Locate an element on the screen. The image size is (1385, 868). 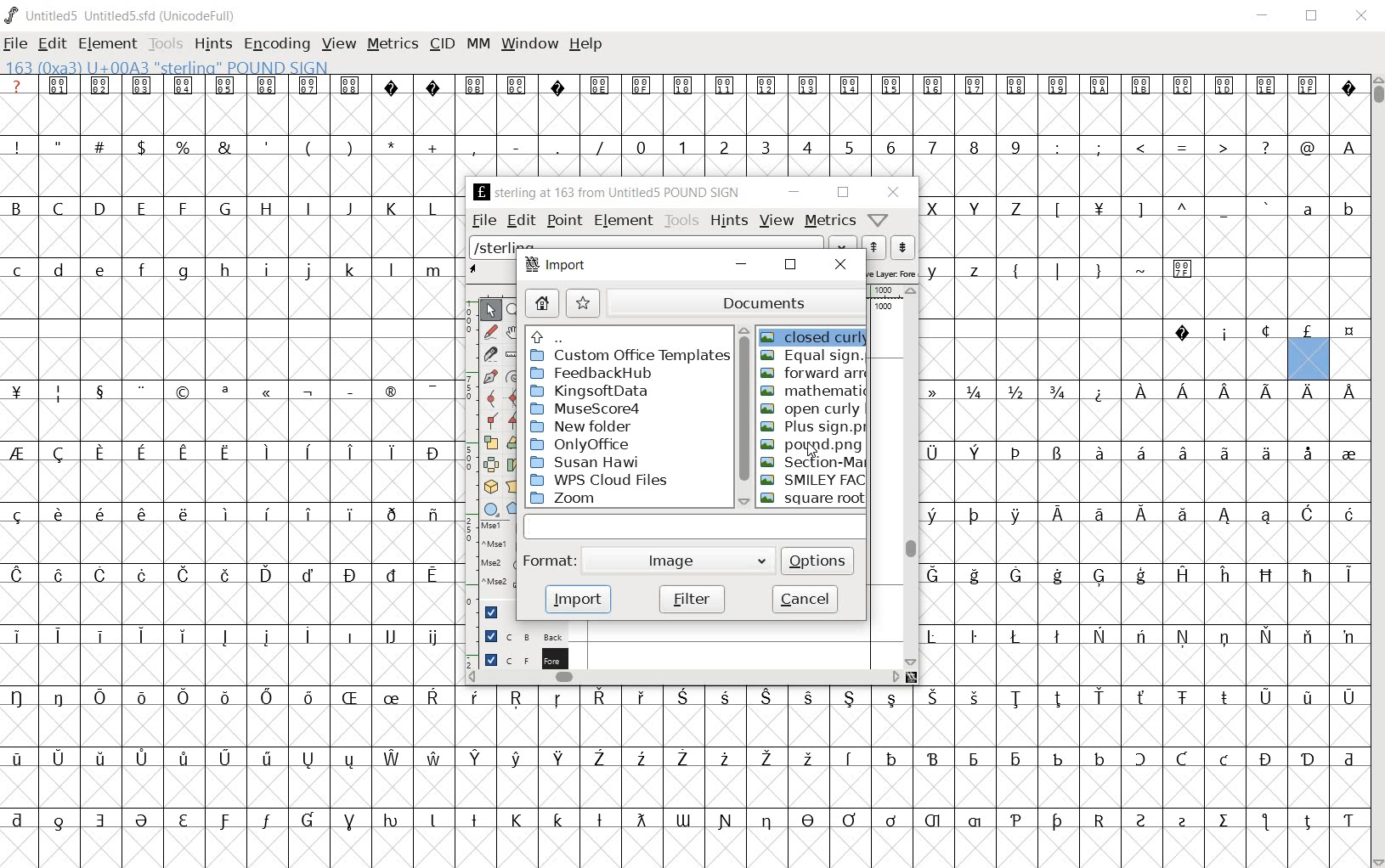
d is located at coordinates (59, 272).